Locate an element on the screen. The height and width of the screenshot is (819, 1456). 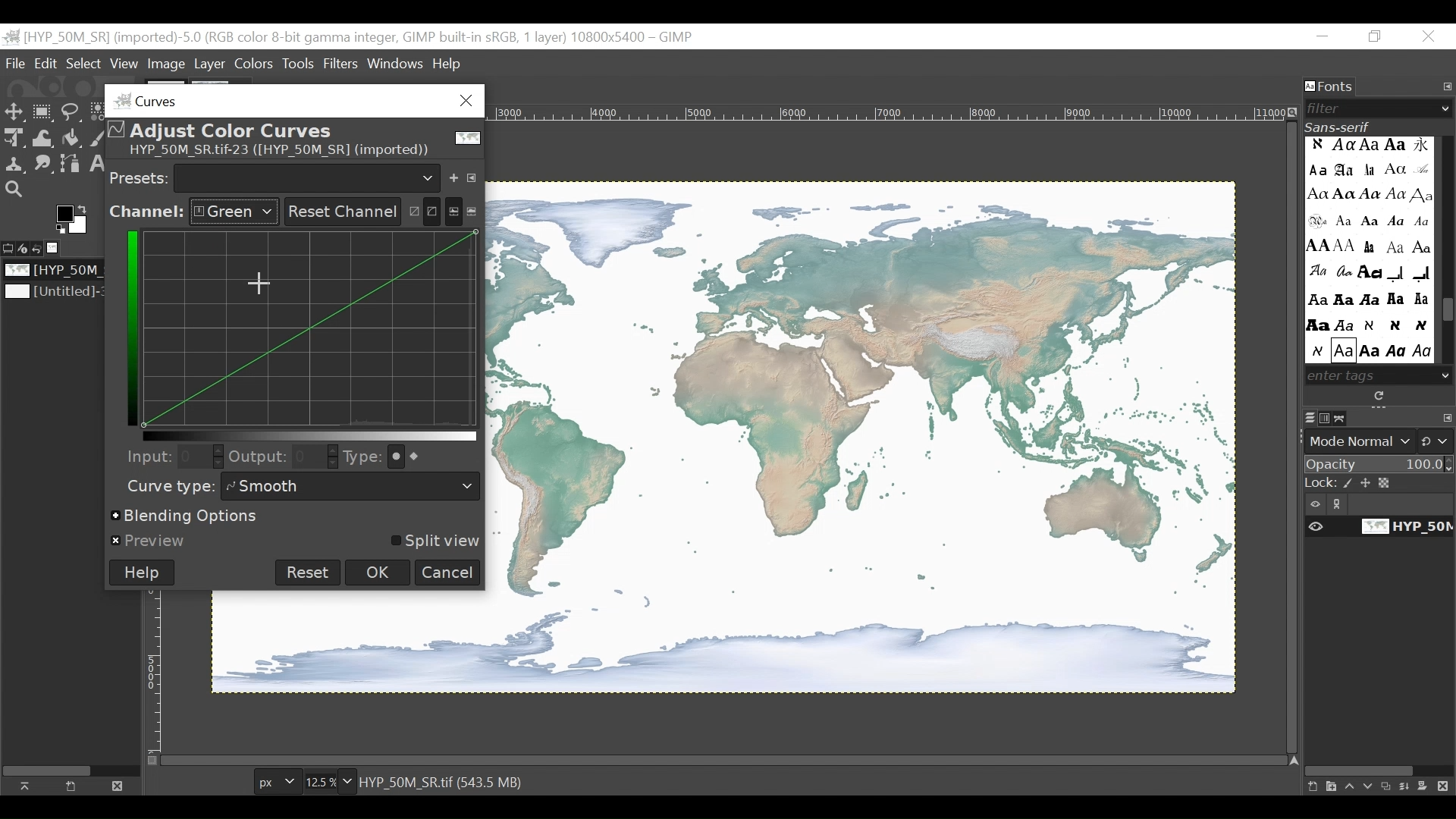
Mode Normal is located at coordinates (1381, 441).